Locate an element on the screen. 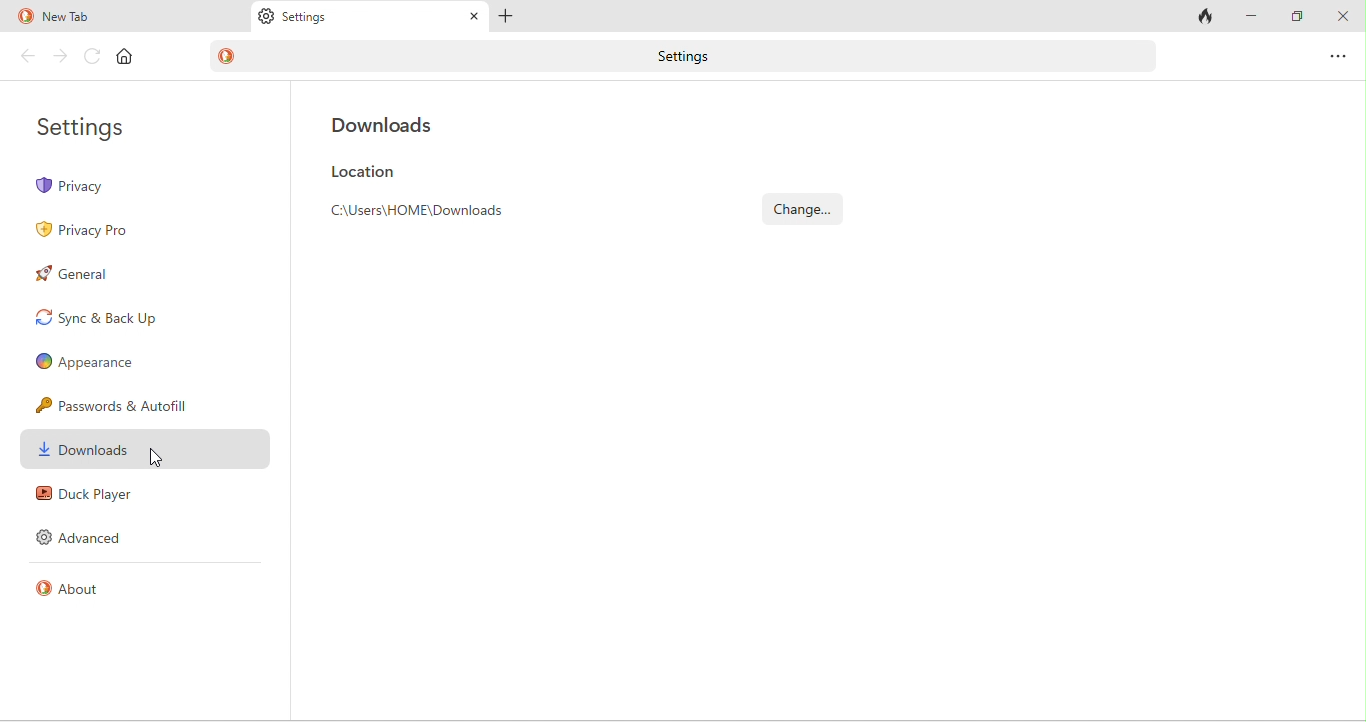 This screenshot has width=1366, height=722. appearence is located at coordinates (115, 362).